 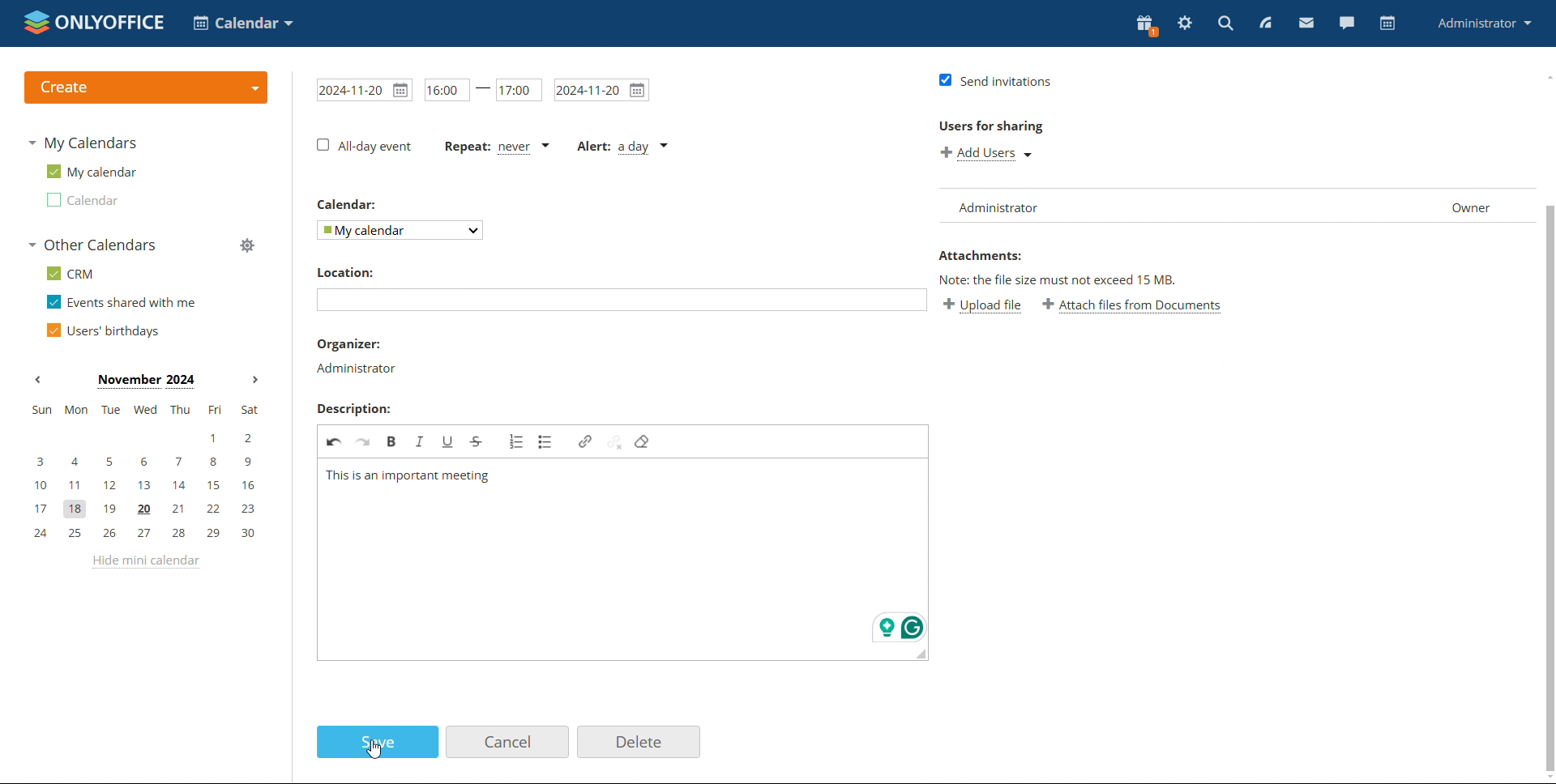 What do you see at coordinates (408, 476) in the screenshot?
I see `description added` at bounding box center [408, 476].